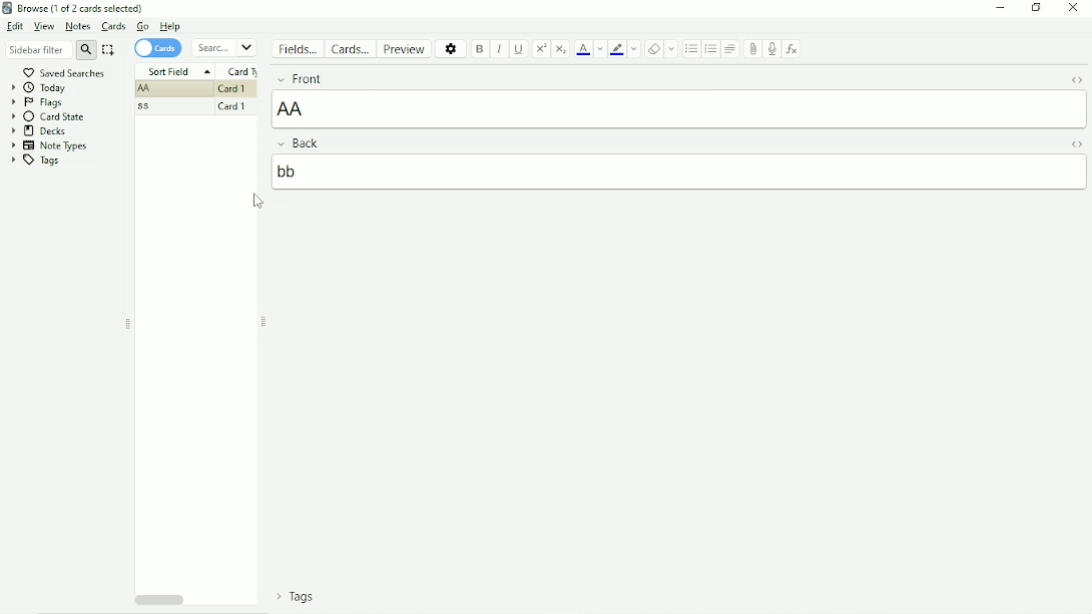  What do you see at coordinates (732, 48) in the screenshot?
I see `Alignment` at bounding box center [732, 48].